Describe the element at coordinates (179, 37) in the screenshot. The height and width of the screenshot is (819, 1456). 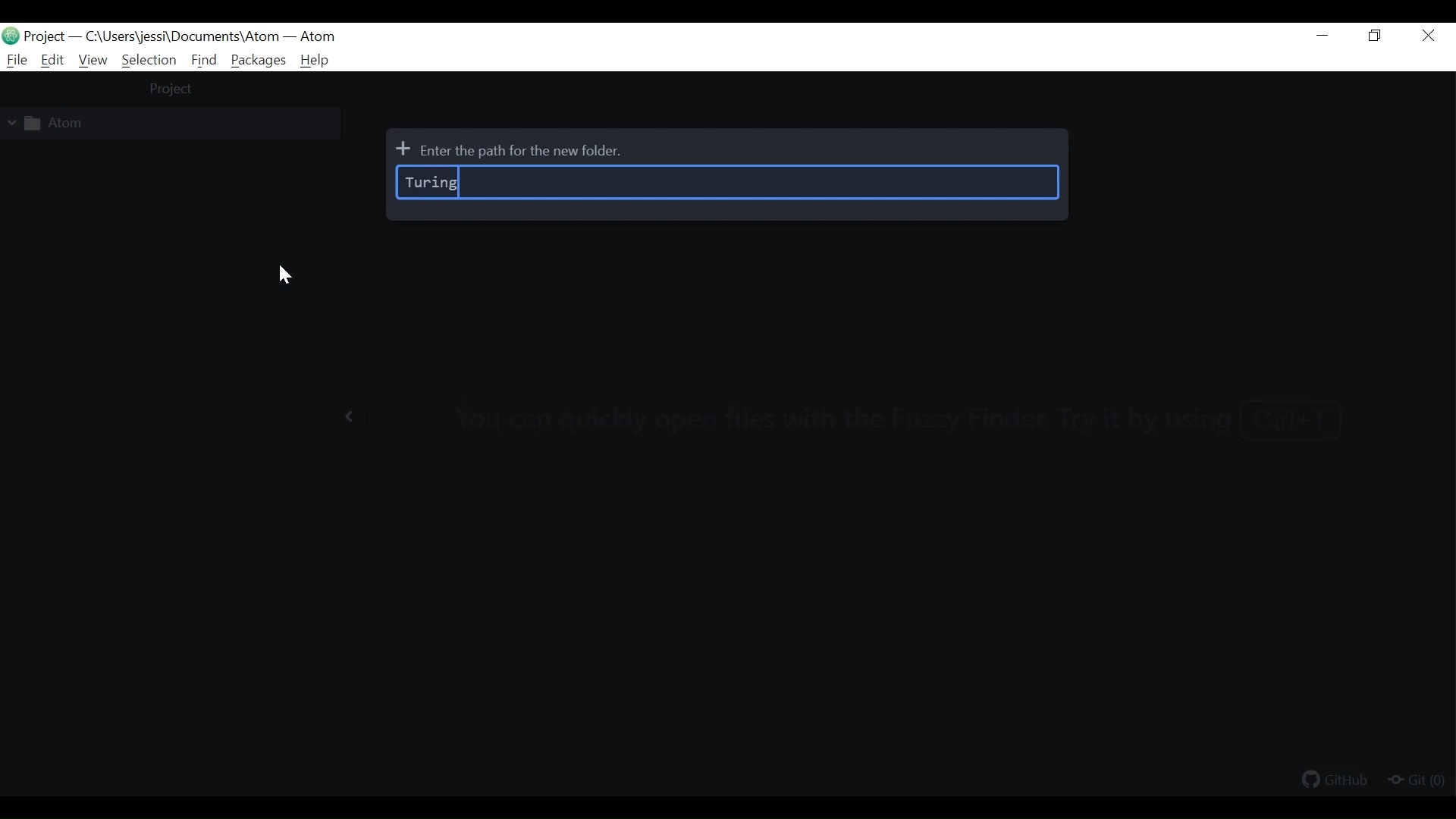
I see `File path` at that location.